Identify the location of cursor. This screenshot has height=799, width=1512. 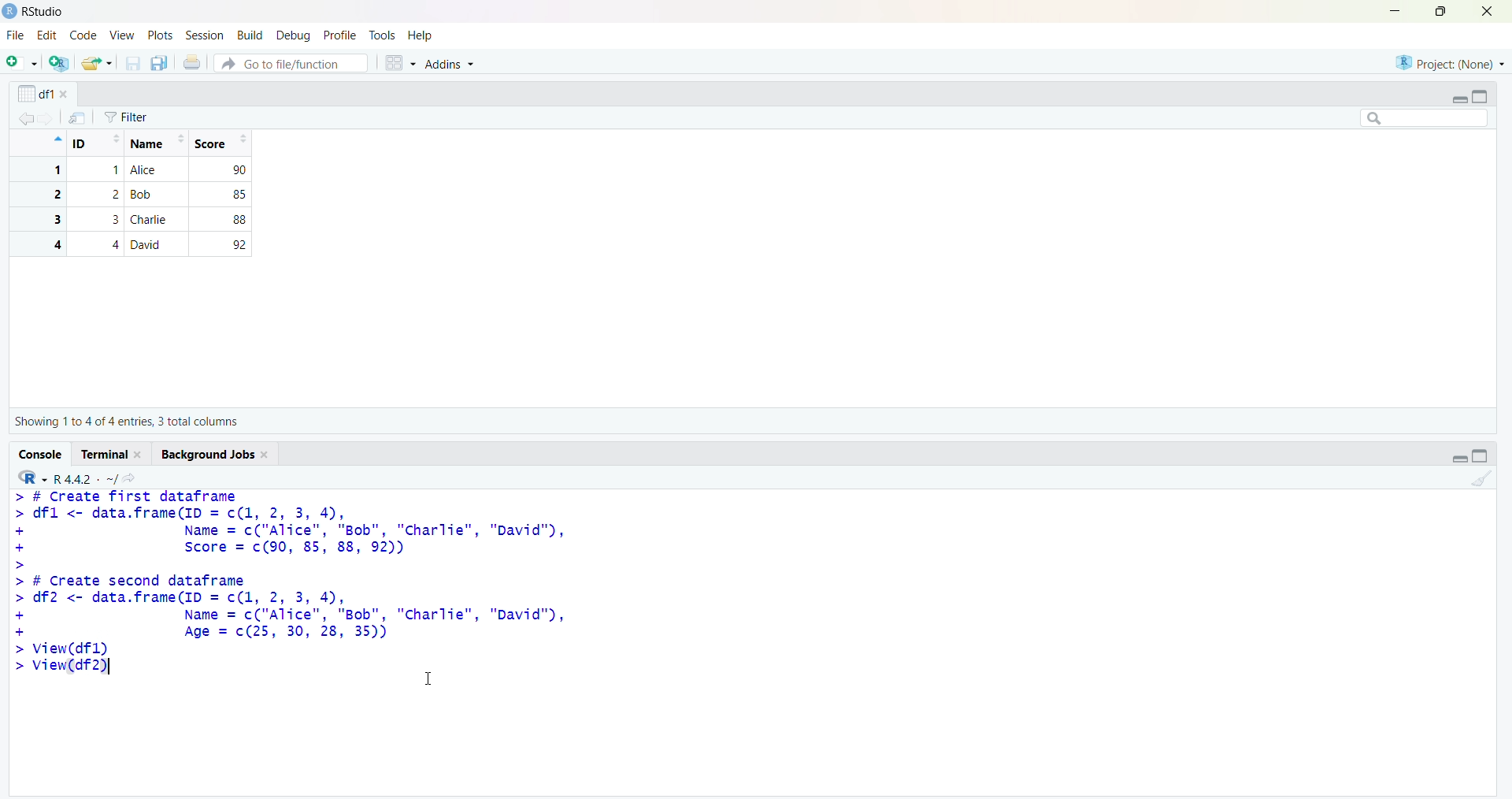
(429, 678).